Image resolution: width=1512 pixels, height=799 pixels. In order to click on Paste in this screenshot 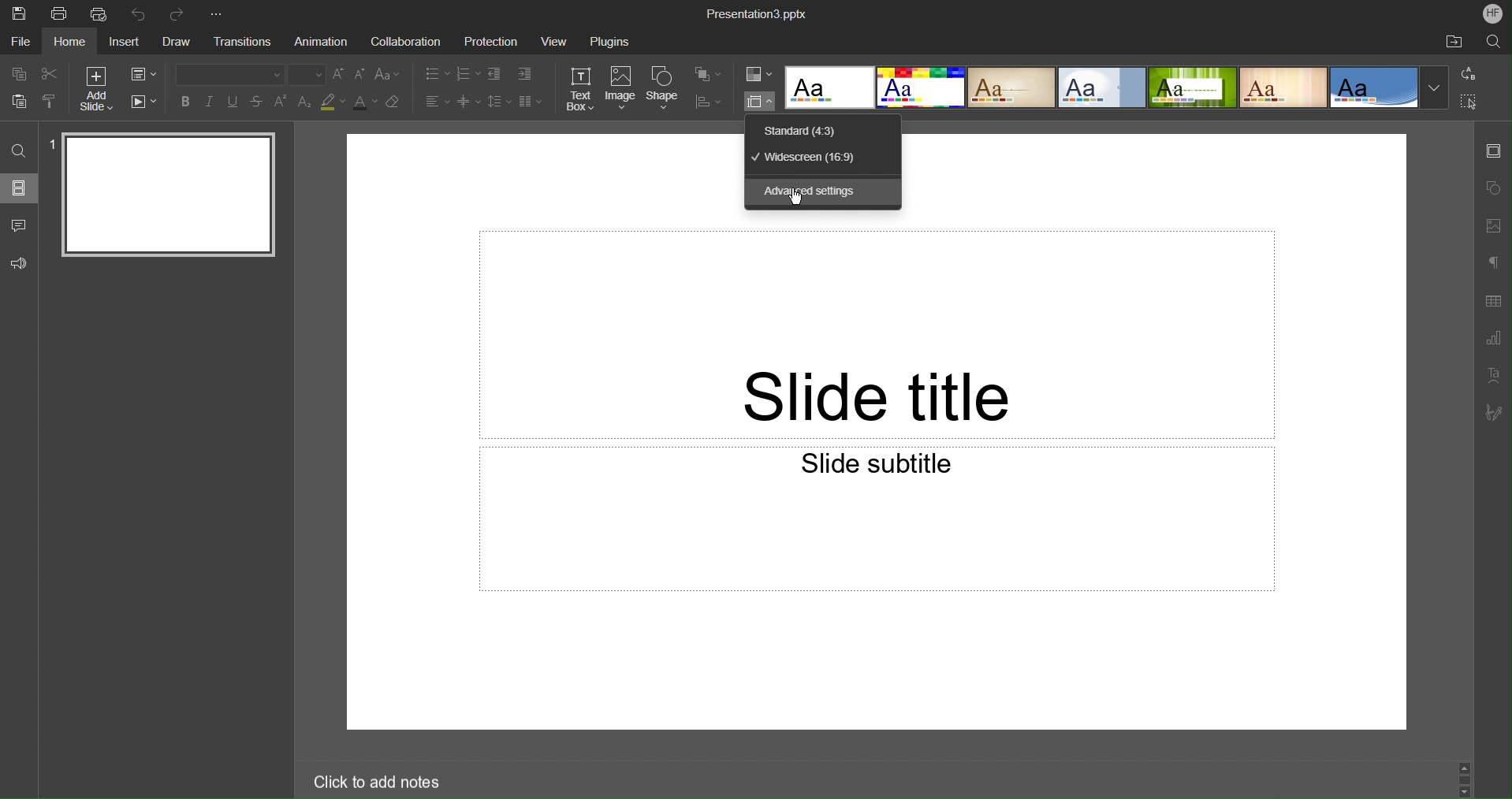, I will do `click(16, 102)`.